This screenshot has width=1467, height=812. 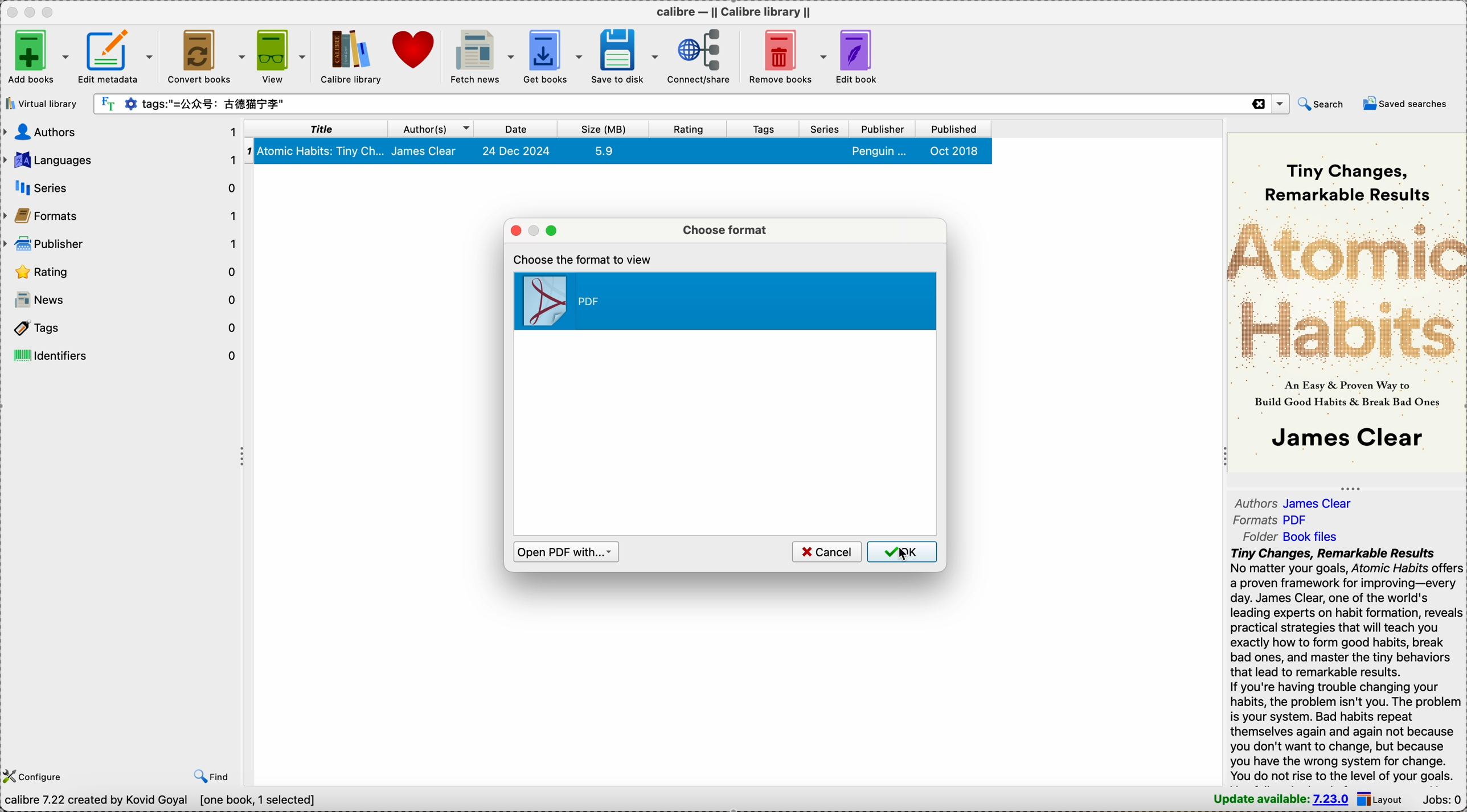 What do you see at coordinates (621, 153) in the screenshot?
I see `Atomic Habits book details selected` at bounding box center [621, 153].